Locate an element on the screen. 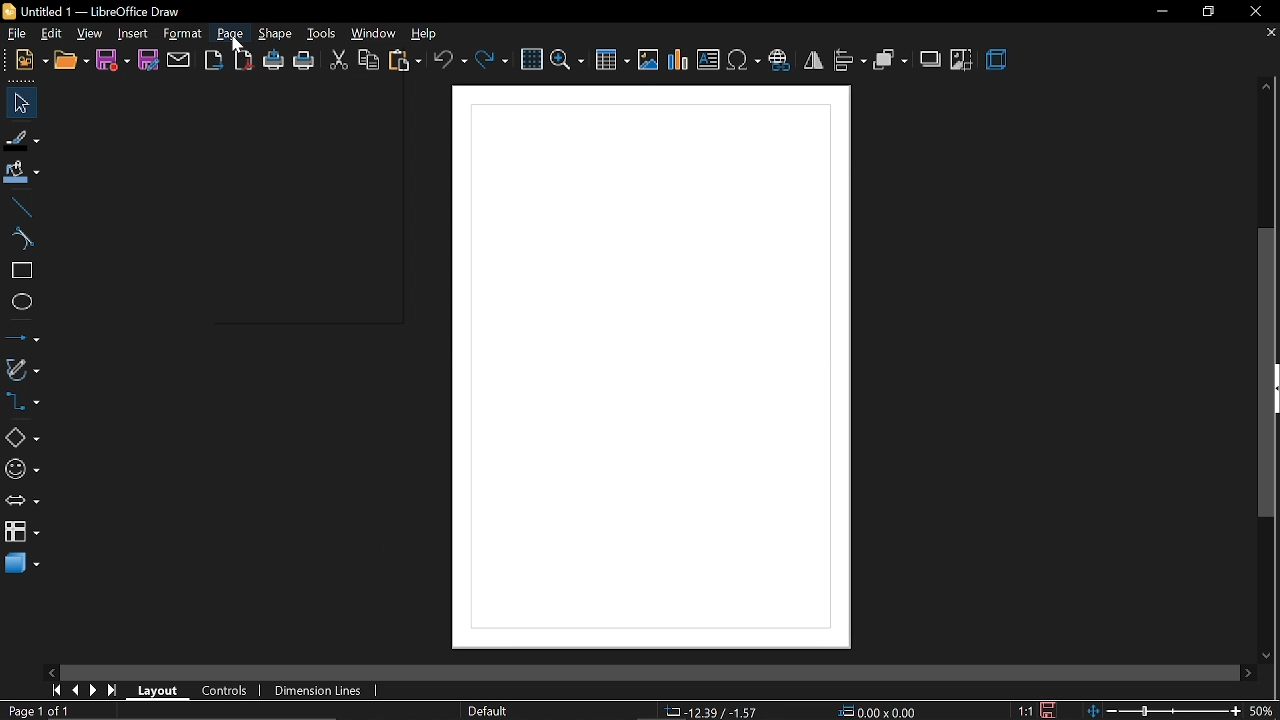  paste is located at coordinates (405, 62).